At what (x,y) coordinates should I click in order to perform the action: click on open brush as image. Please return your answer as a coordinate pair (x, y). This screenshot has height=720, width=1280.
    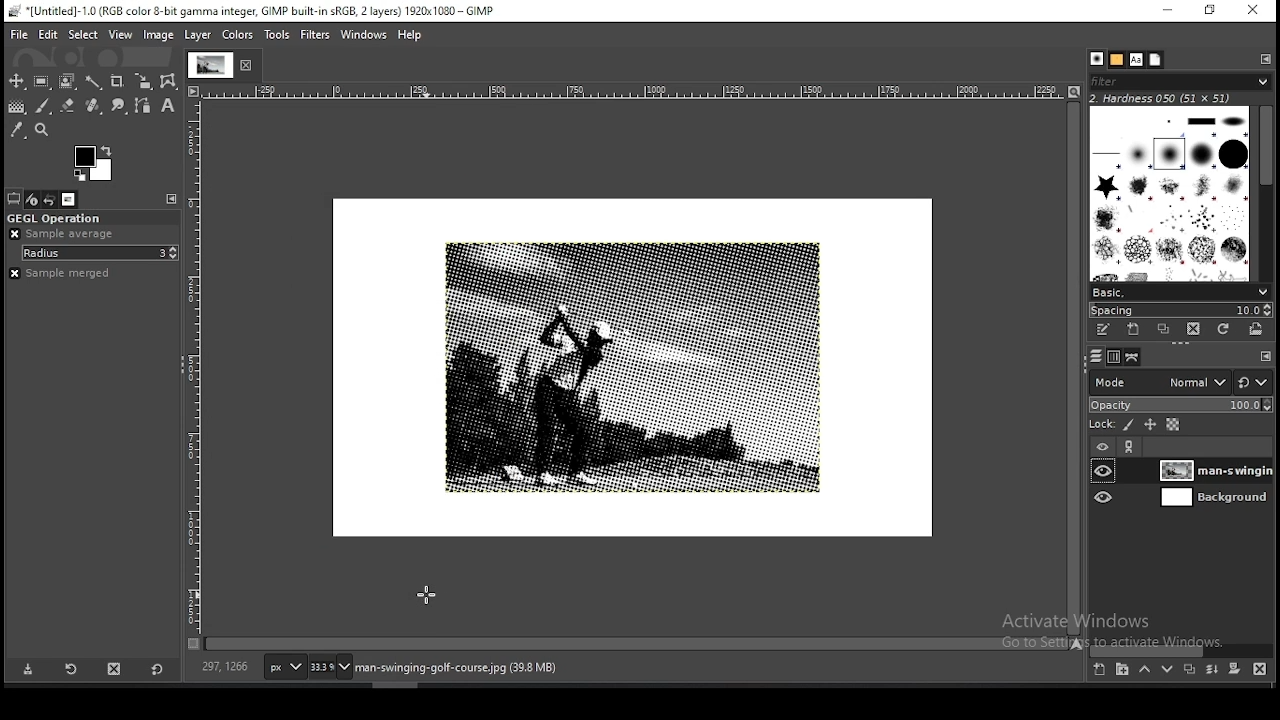
    Looking at the image, I should click on (1260, 332).